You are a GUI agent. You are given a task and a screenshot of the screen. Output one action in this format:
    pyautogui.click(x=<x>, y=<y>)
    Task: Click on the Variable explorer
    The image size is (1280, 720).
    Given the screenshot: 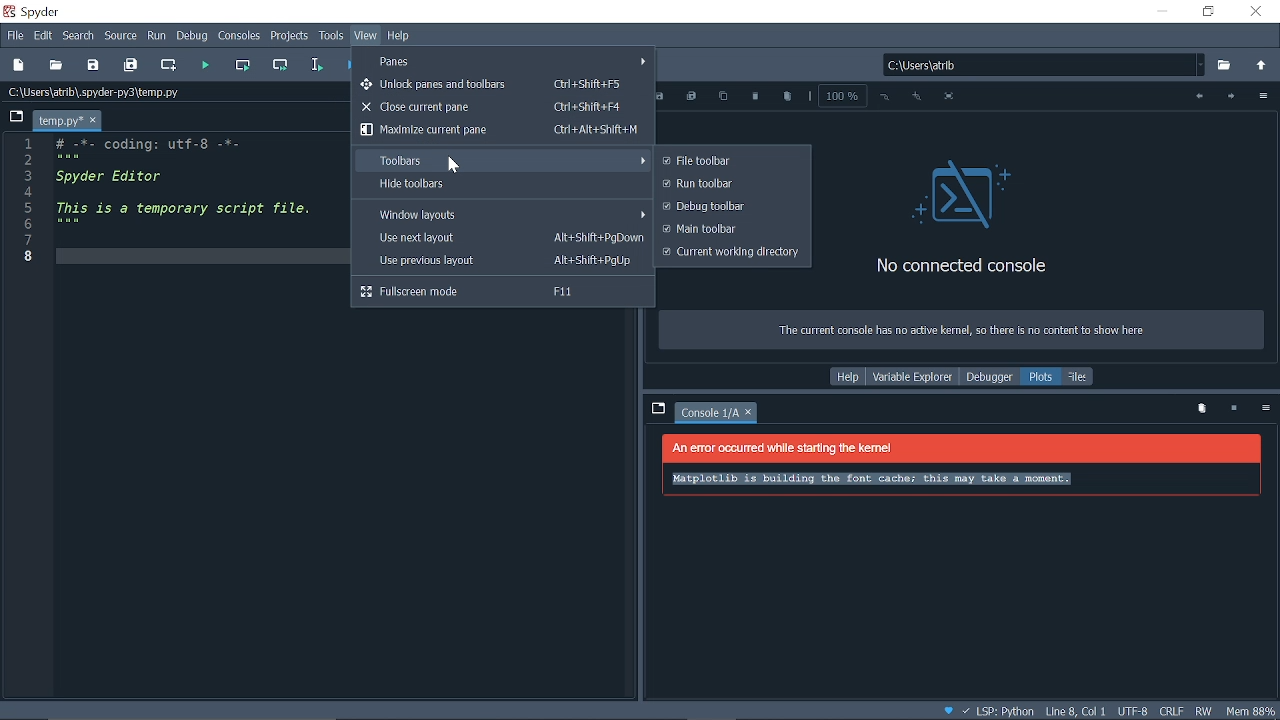 What is the action you would take?
    pyautogui.click(x=912, y=377)
    